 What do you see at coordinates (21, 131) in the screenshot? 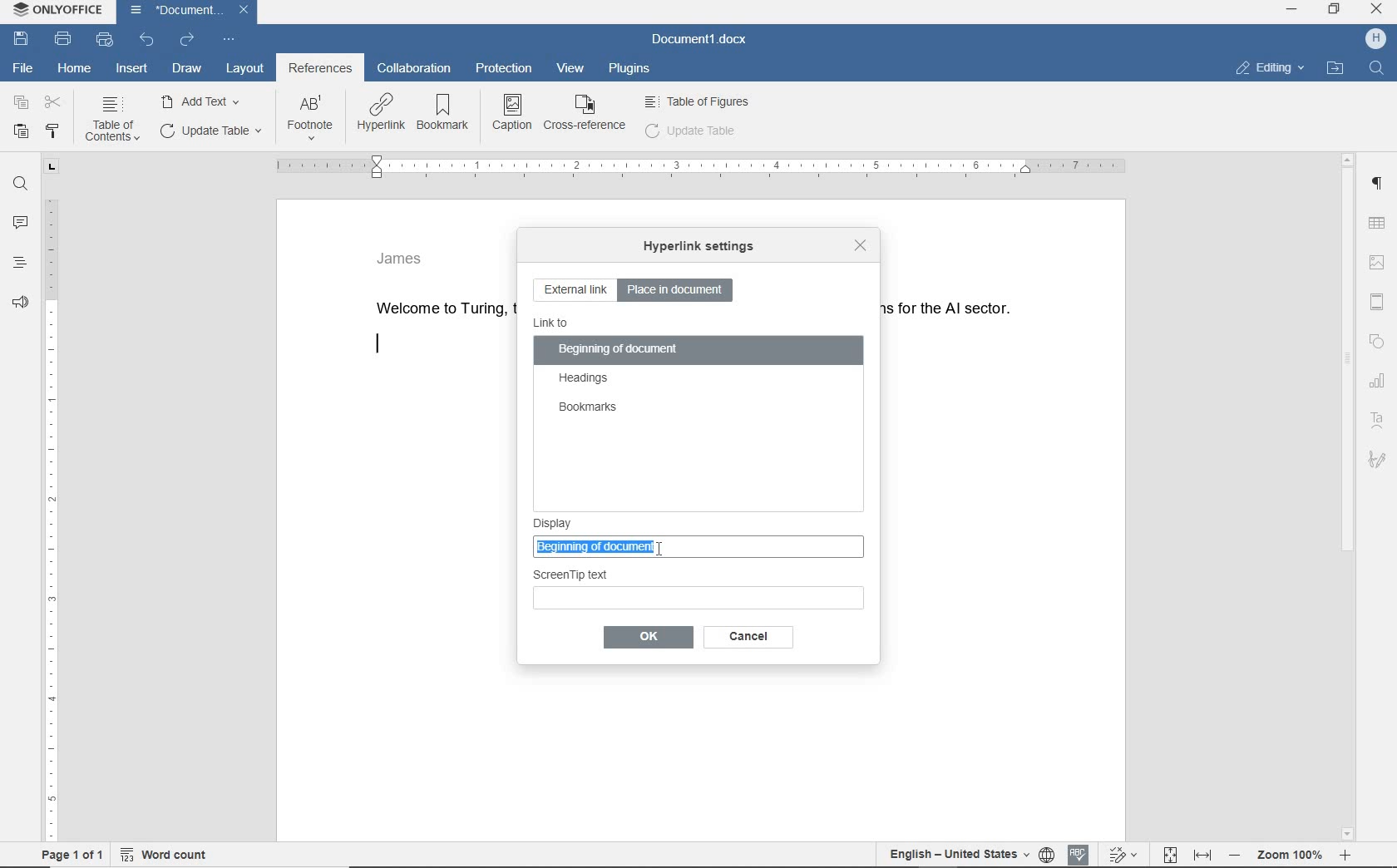
I see `paste` at bounding box center [21, 131].